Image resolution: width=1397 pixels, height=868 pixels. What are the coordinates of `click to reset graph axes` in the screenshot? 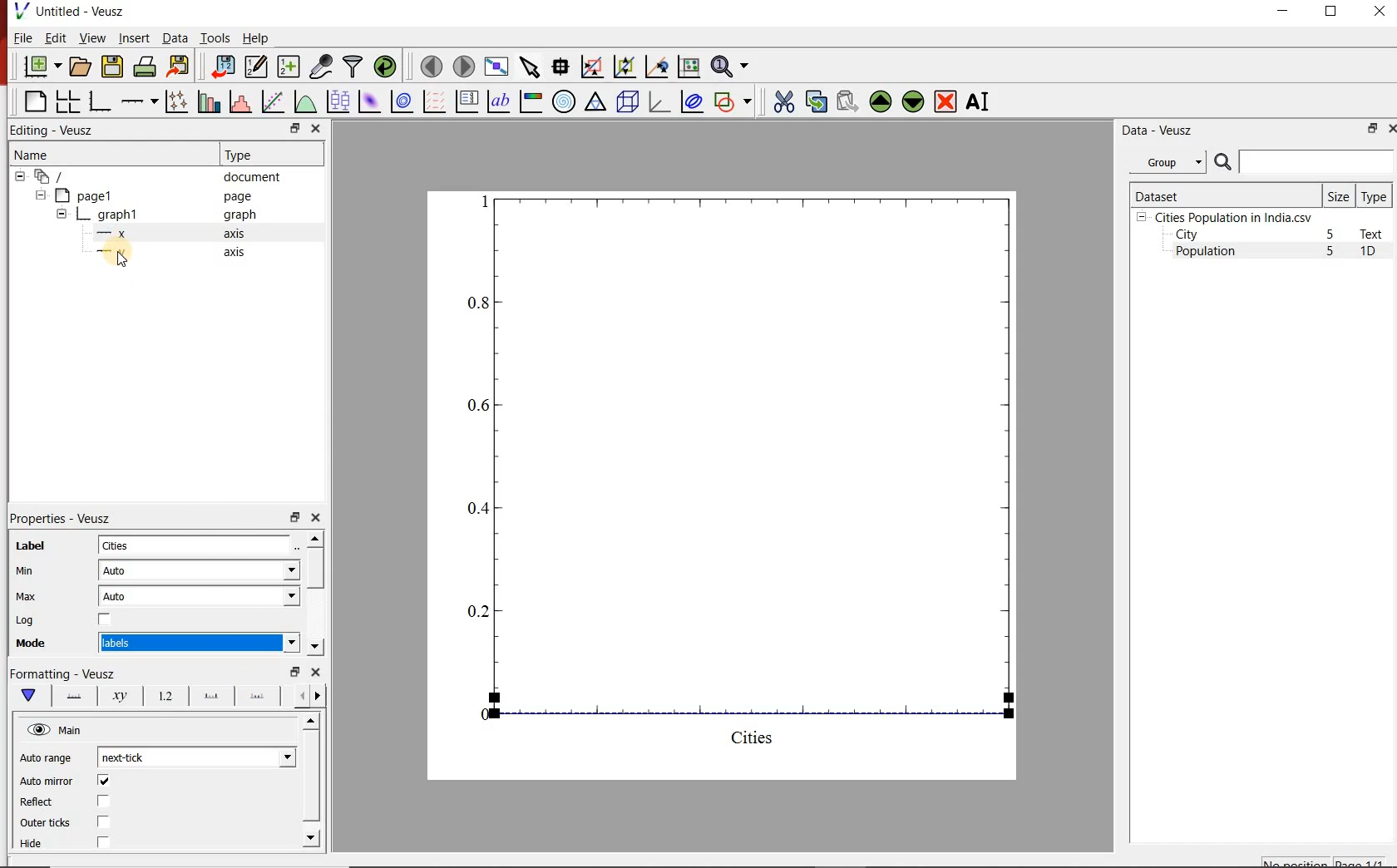 It's located at (689, 66).